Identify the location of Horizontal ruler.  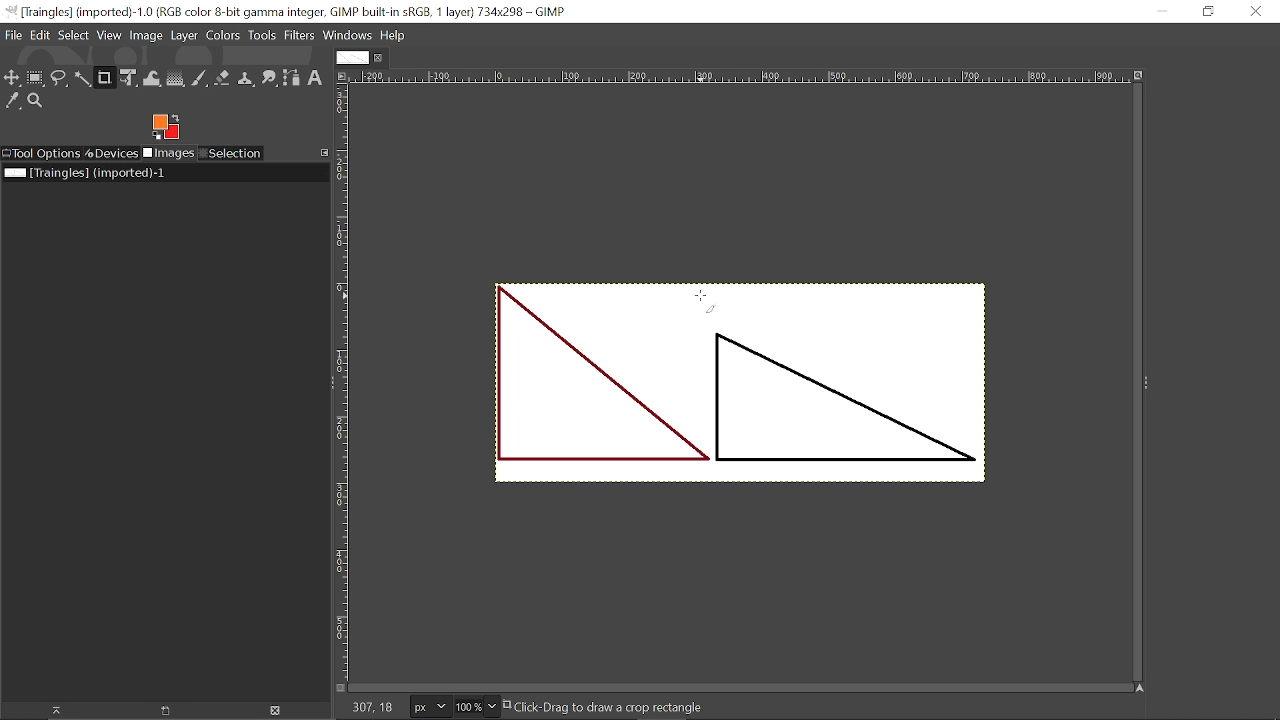
(740, 77).